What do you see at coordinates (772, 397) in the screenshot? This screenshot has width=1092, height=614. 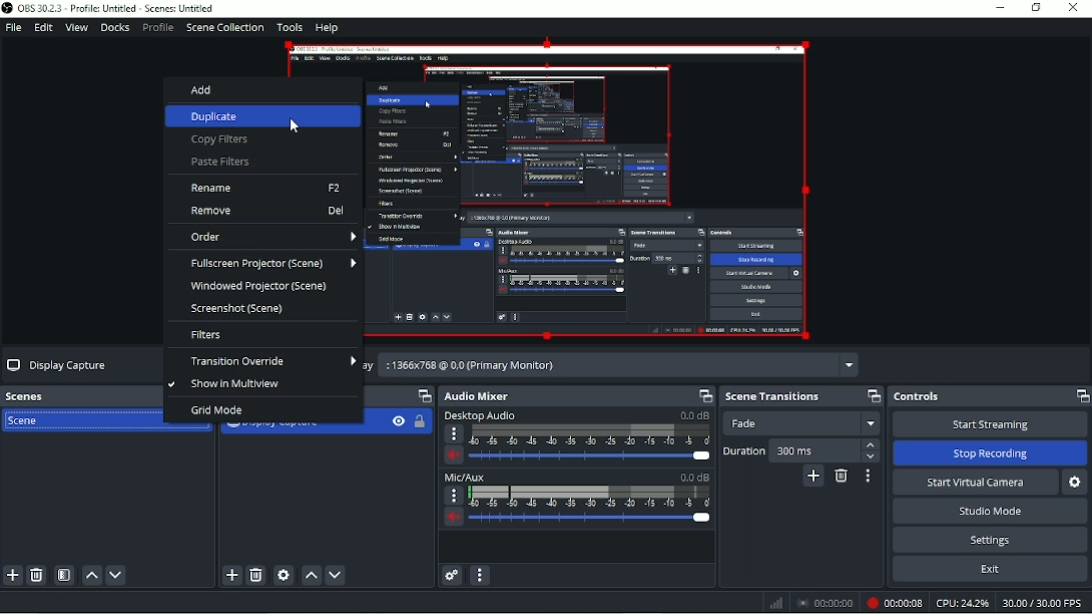 I see `Scene transition` at bounding box center [772, 397].